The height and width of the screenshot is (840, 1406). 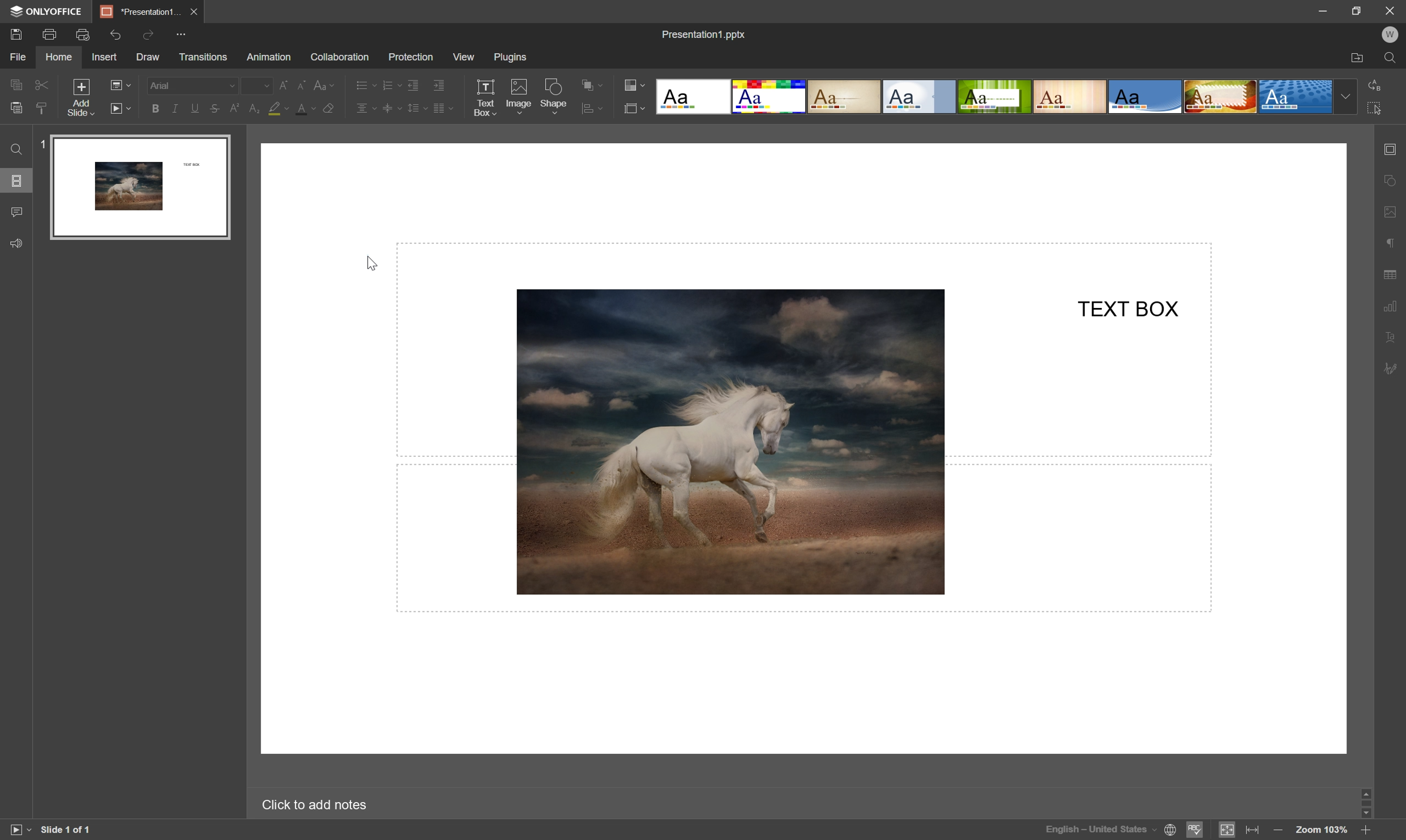 I want to click on Blank, so click(x=691, y=96).